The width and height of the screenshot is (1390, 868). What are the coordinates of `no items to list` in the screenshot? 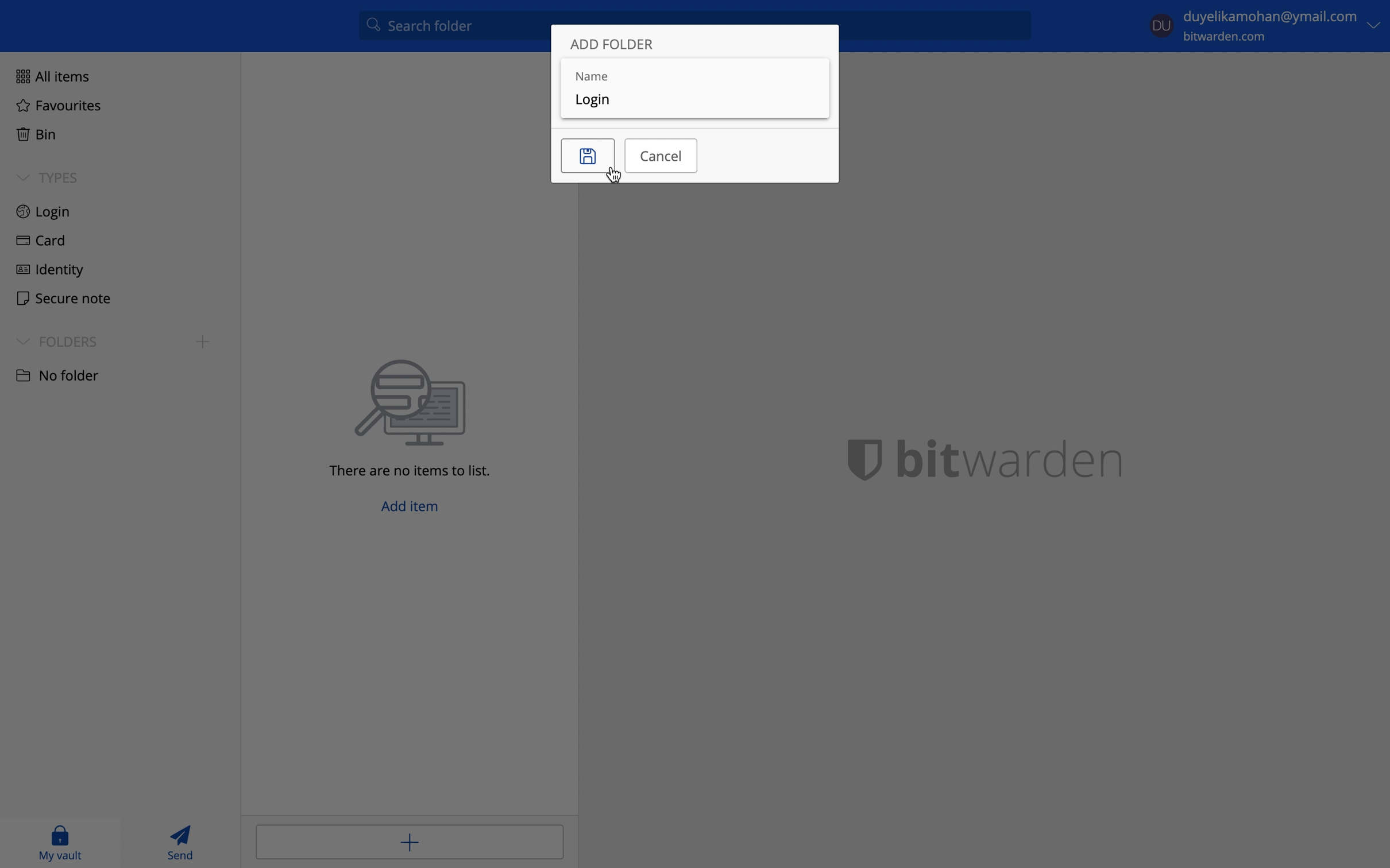 It's located at (418, 418).